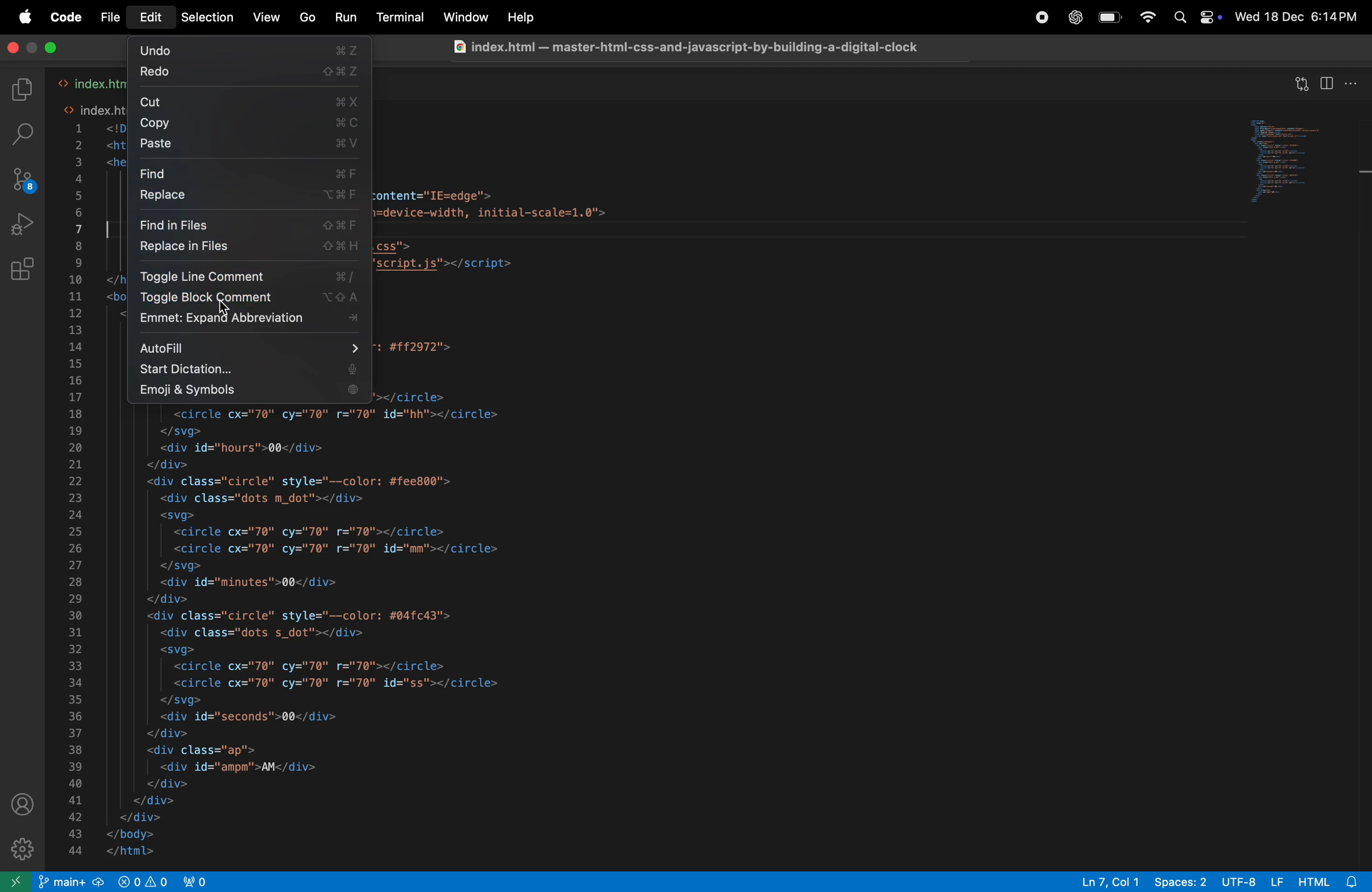 The width and height of the screenshot is (1372, 892). I want to click on apple menu, so click(27, 17).